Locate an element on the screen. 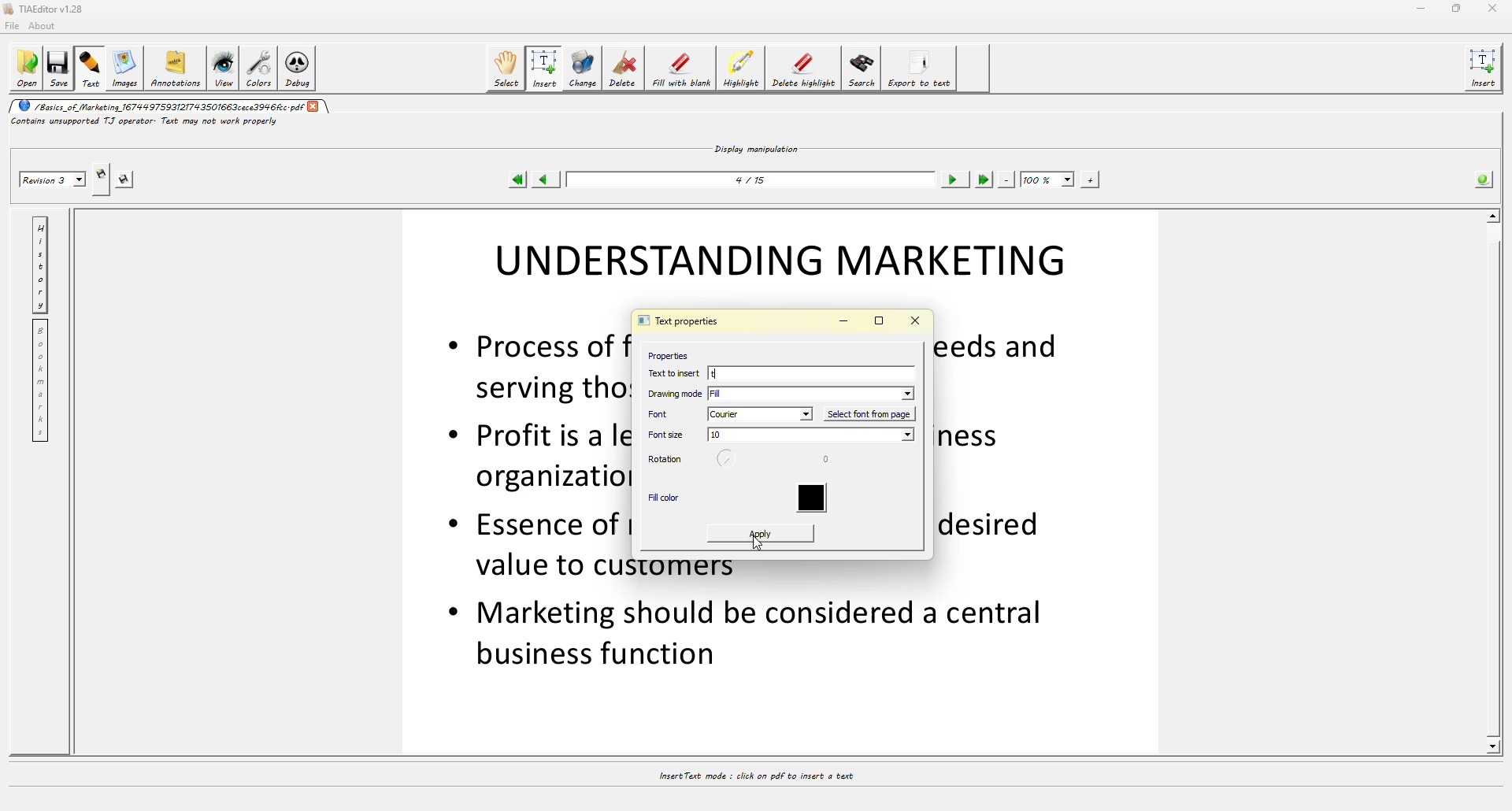 This screenshot has height=811, width=1512. color is located at coordinates (817, 499).